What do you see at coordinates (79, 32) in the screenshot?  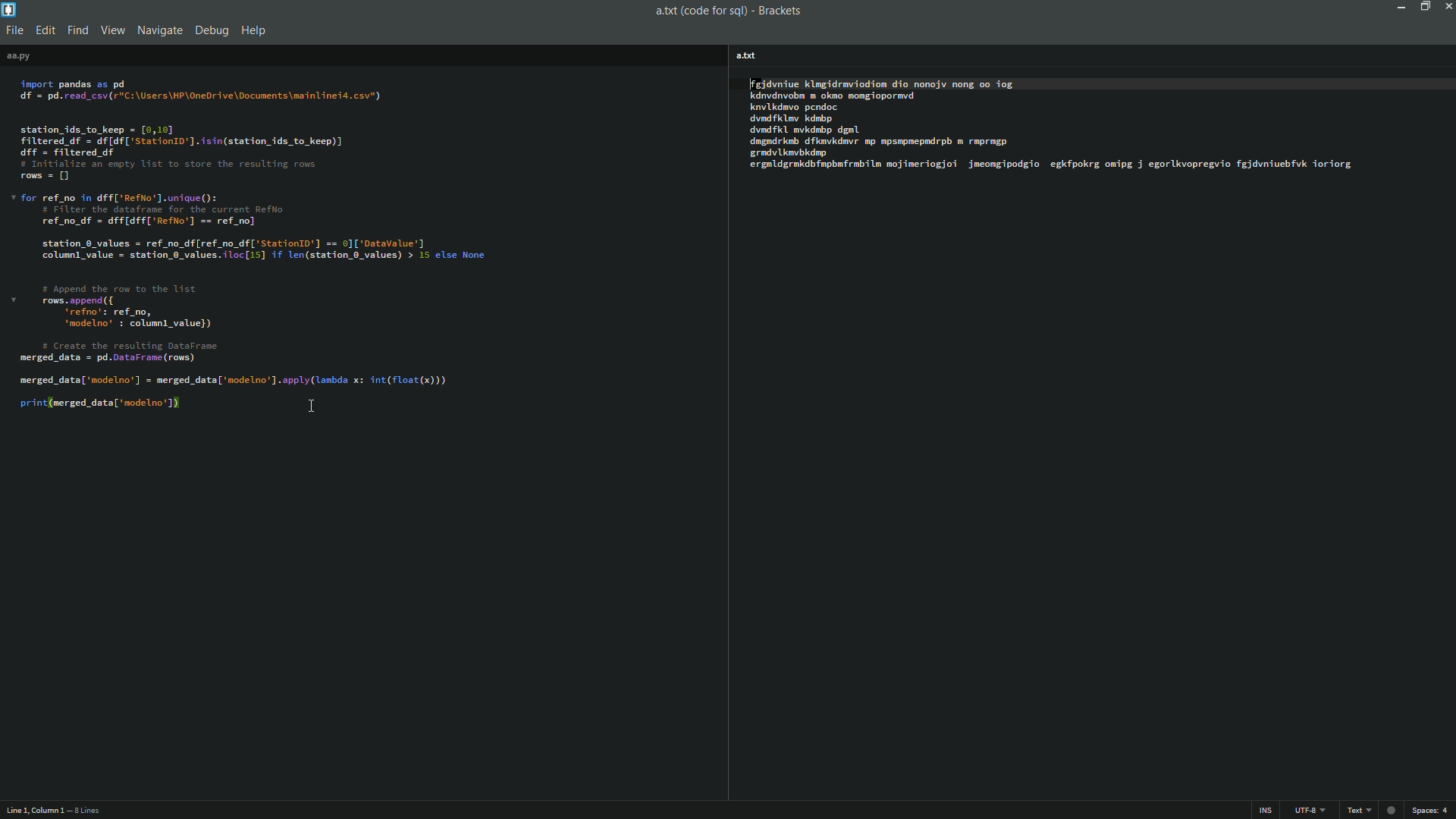 I see `find menu` at bounding box center [79, 32].